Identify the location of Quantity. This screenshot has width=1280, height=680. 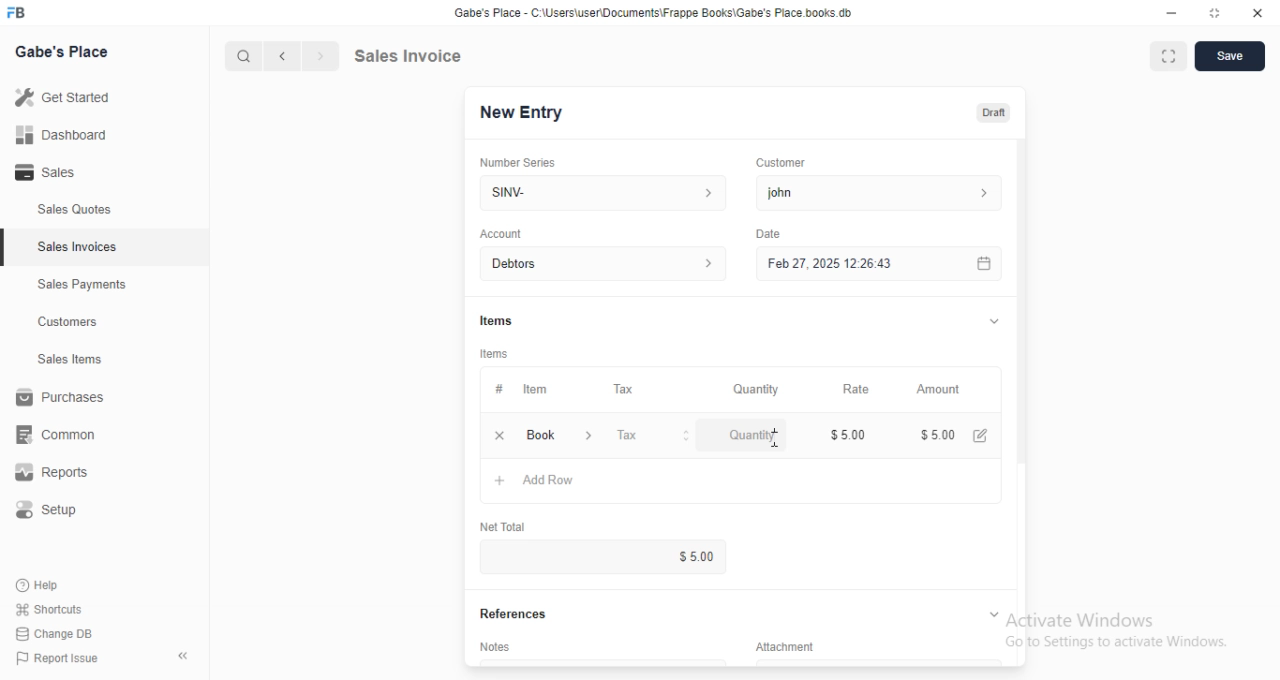
(753, 437).